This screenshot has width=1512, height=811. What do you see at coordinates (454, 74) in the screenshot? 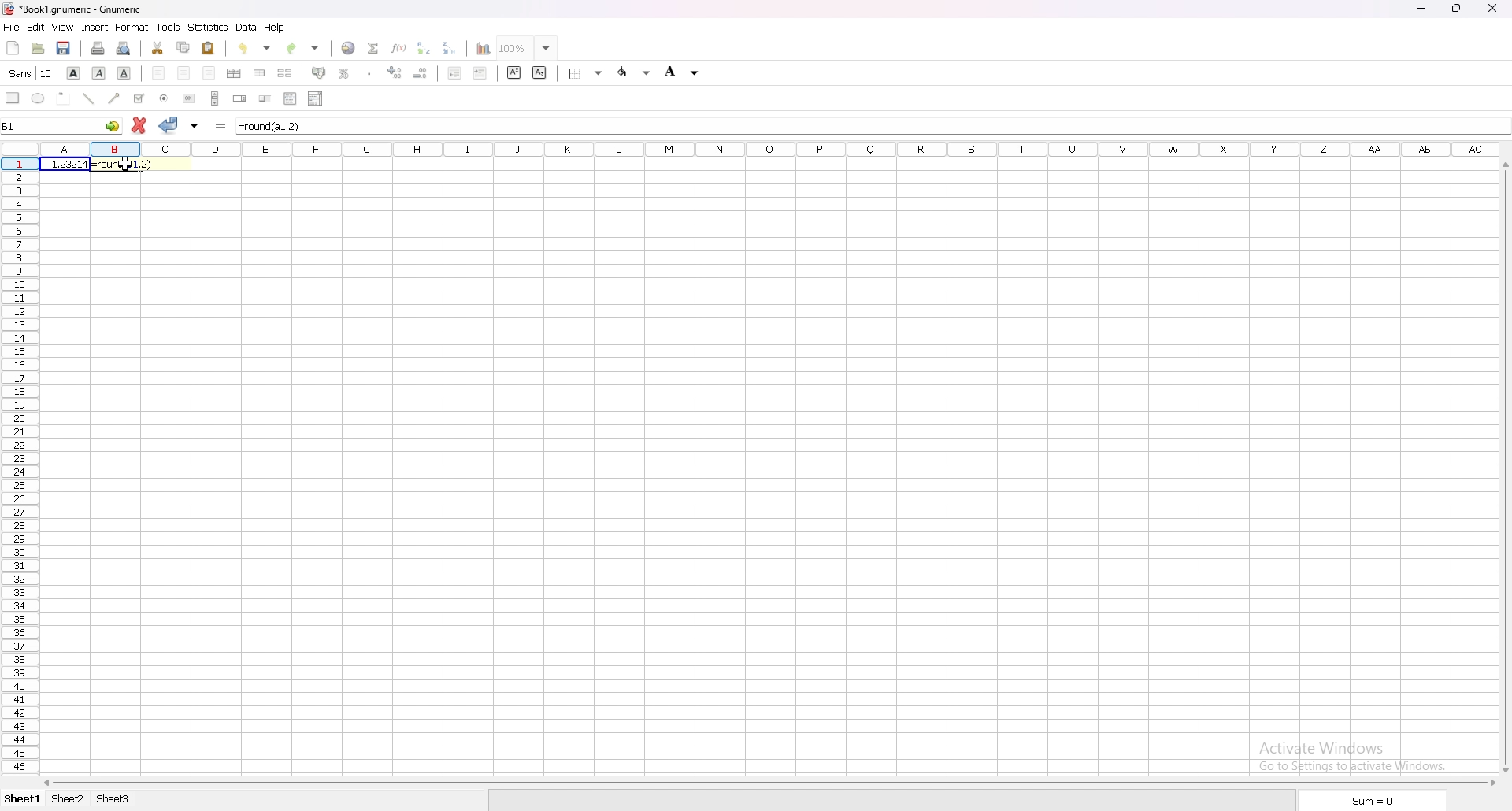
I see `decrease indent` at bounding box center [454, 74].